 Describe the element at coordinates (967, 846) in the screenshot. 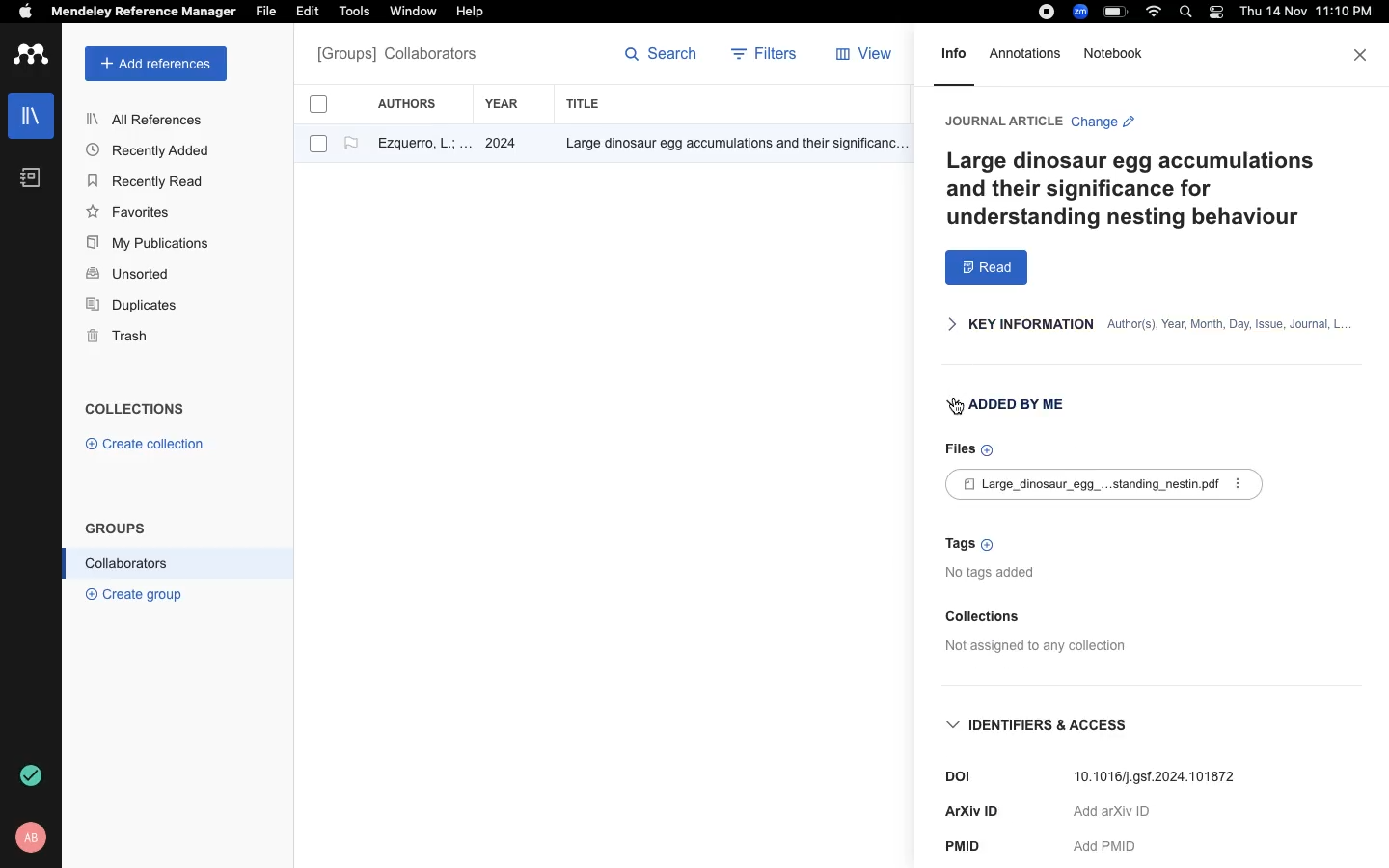

I see `PMID` at that location.